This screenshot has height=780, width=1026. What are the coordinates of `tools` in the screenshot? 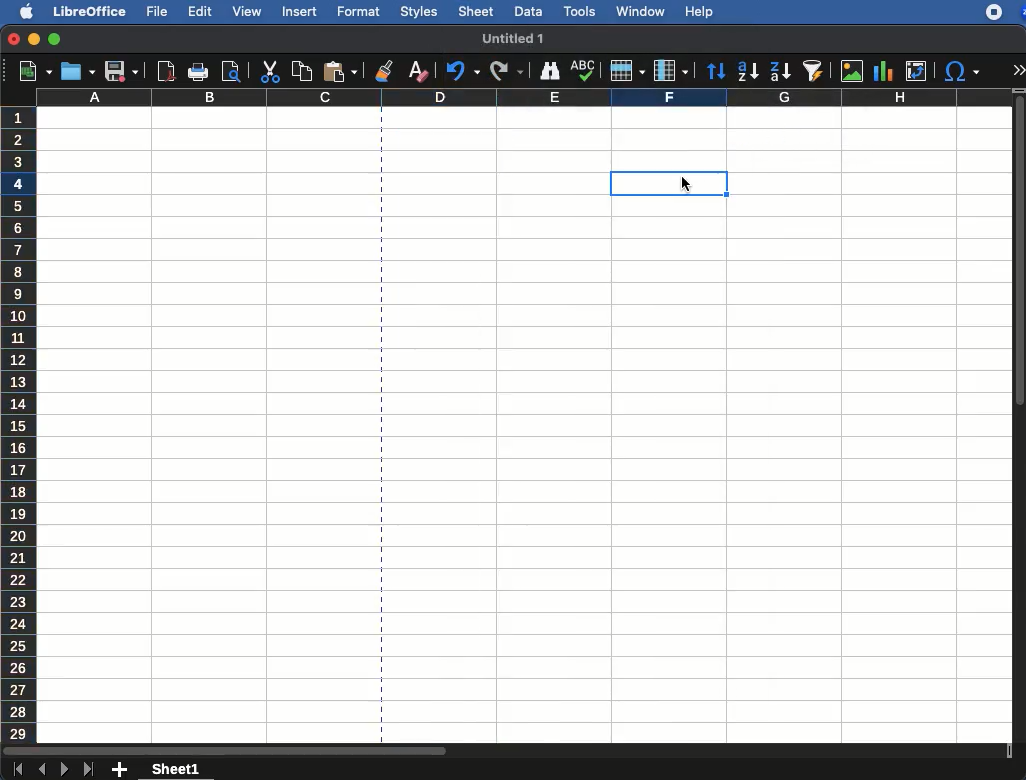 It's located at (578, 10).